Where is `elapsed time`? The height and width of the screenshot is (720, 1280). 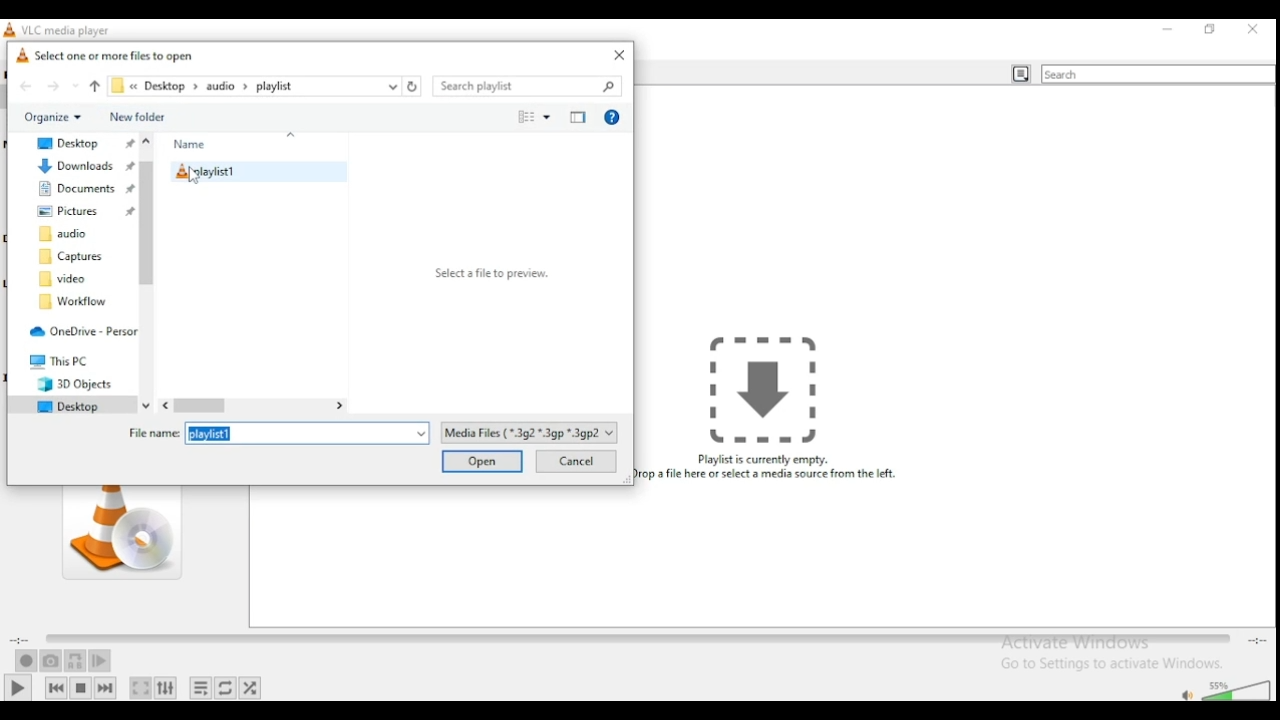
elapsed time is located at coordinates (18, 640).